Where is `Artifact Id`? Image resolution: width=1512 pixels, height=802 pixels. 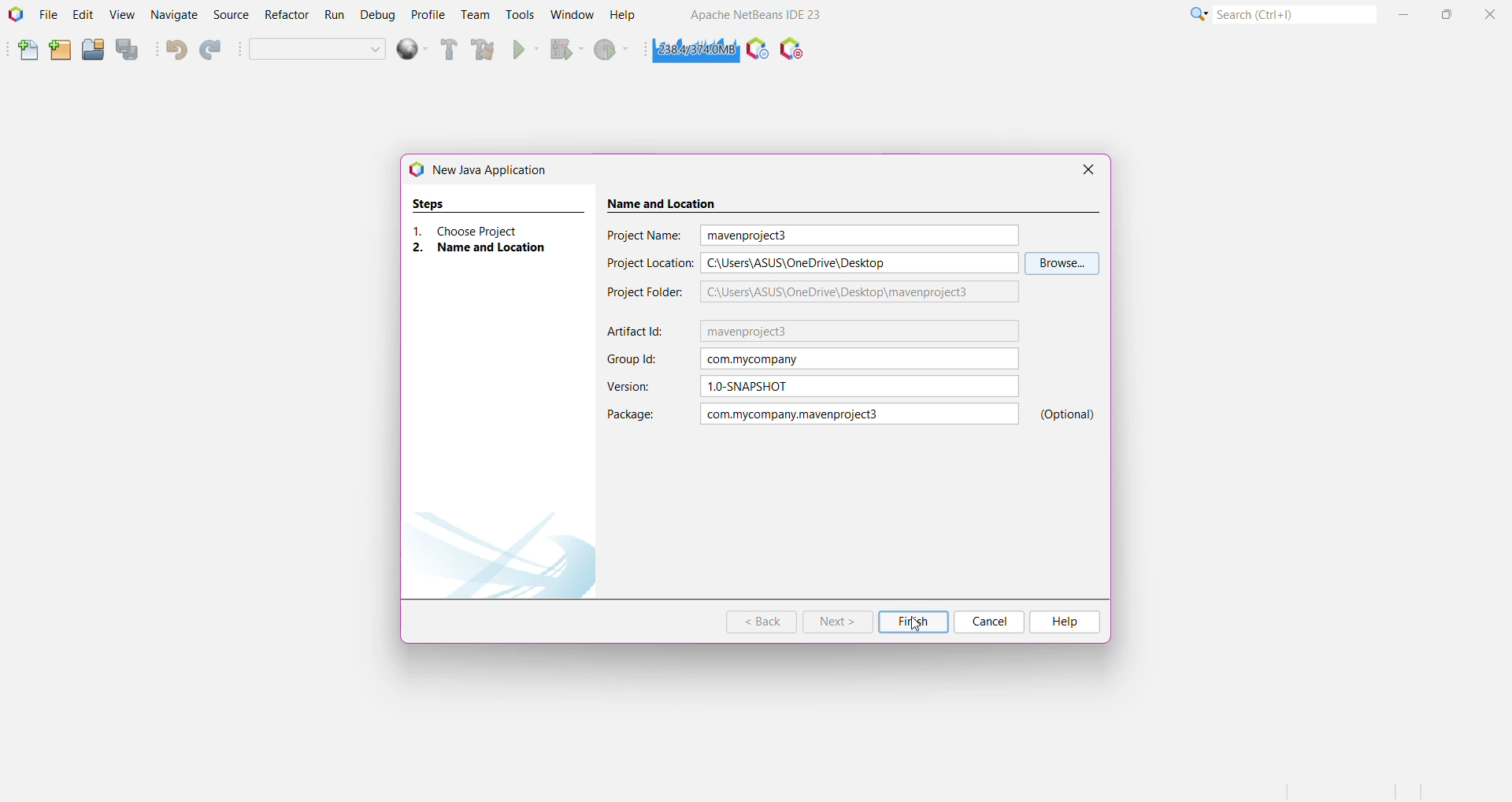 Artifact Id is located at coordinates (639, 332).